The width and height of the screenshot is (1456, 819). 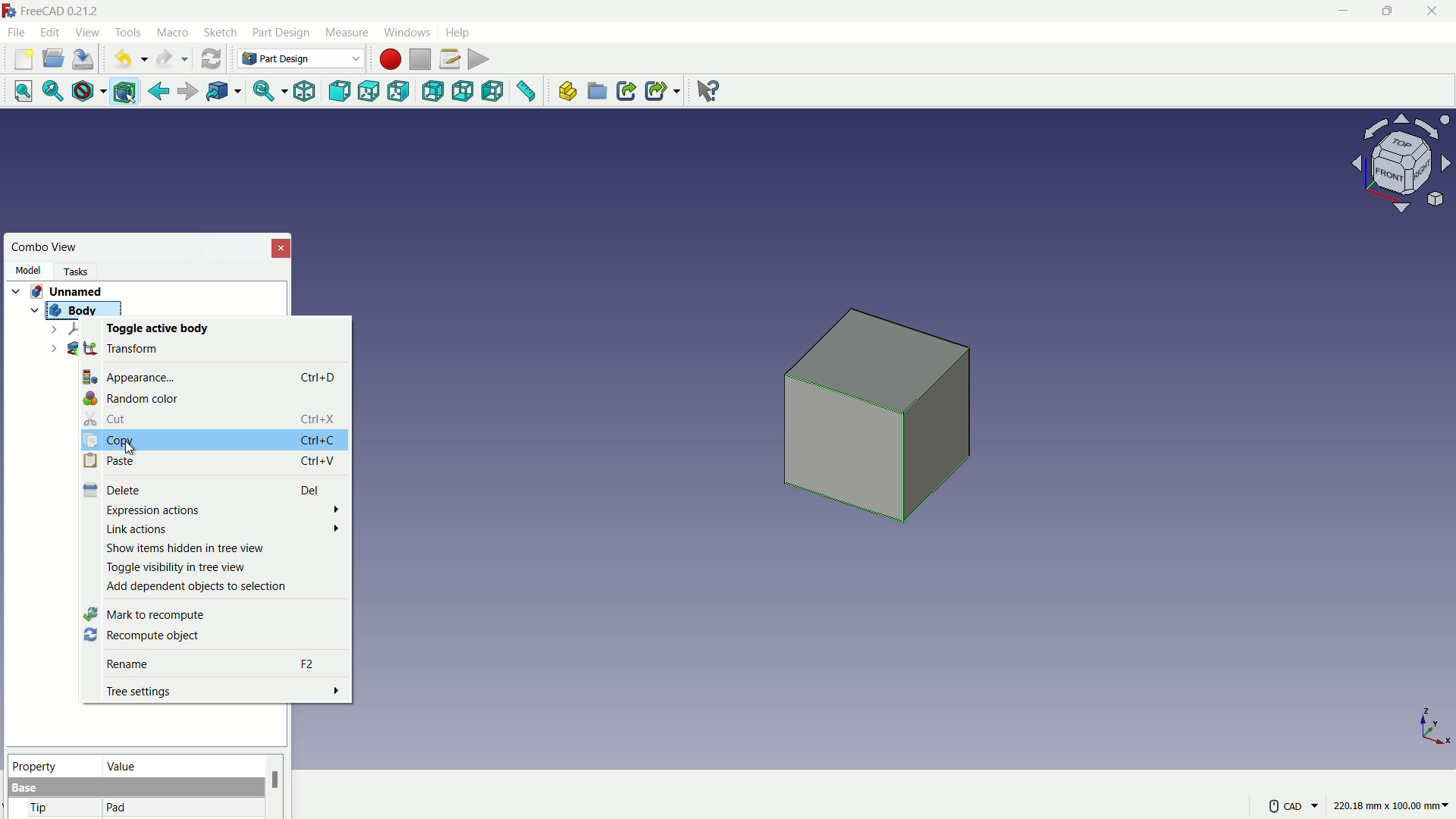 I want to click on right view, so click(x=400, y=94).